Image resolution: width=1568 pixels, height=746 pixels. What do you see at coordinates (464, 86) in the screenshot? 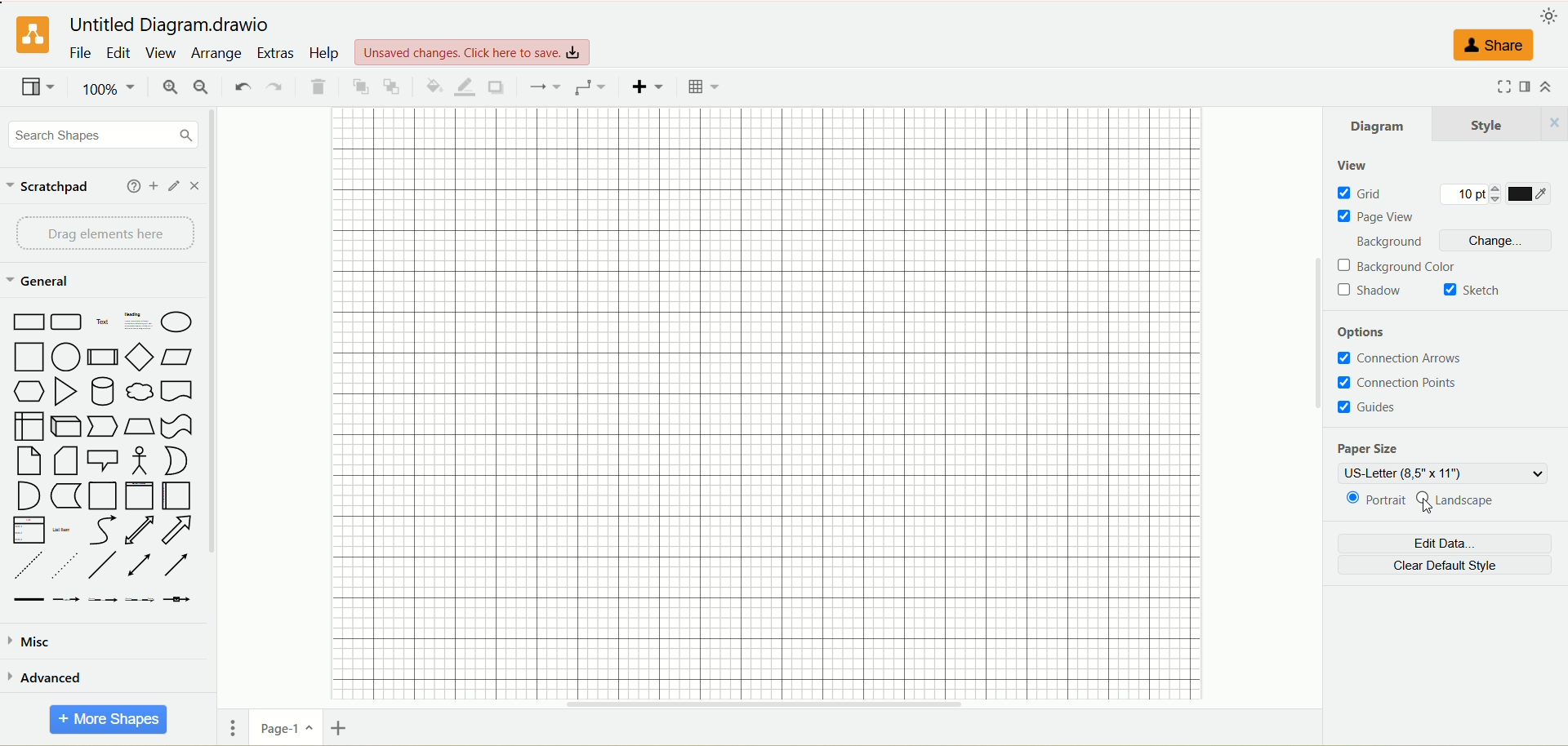
I see `line color` at bounding box center [464, 86].